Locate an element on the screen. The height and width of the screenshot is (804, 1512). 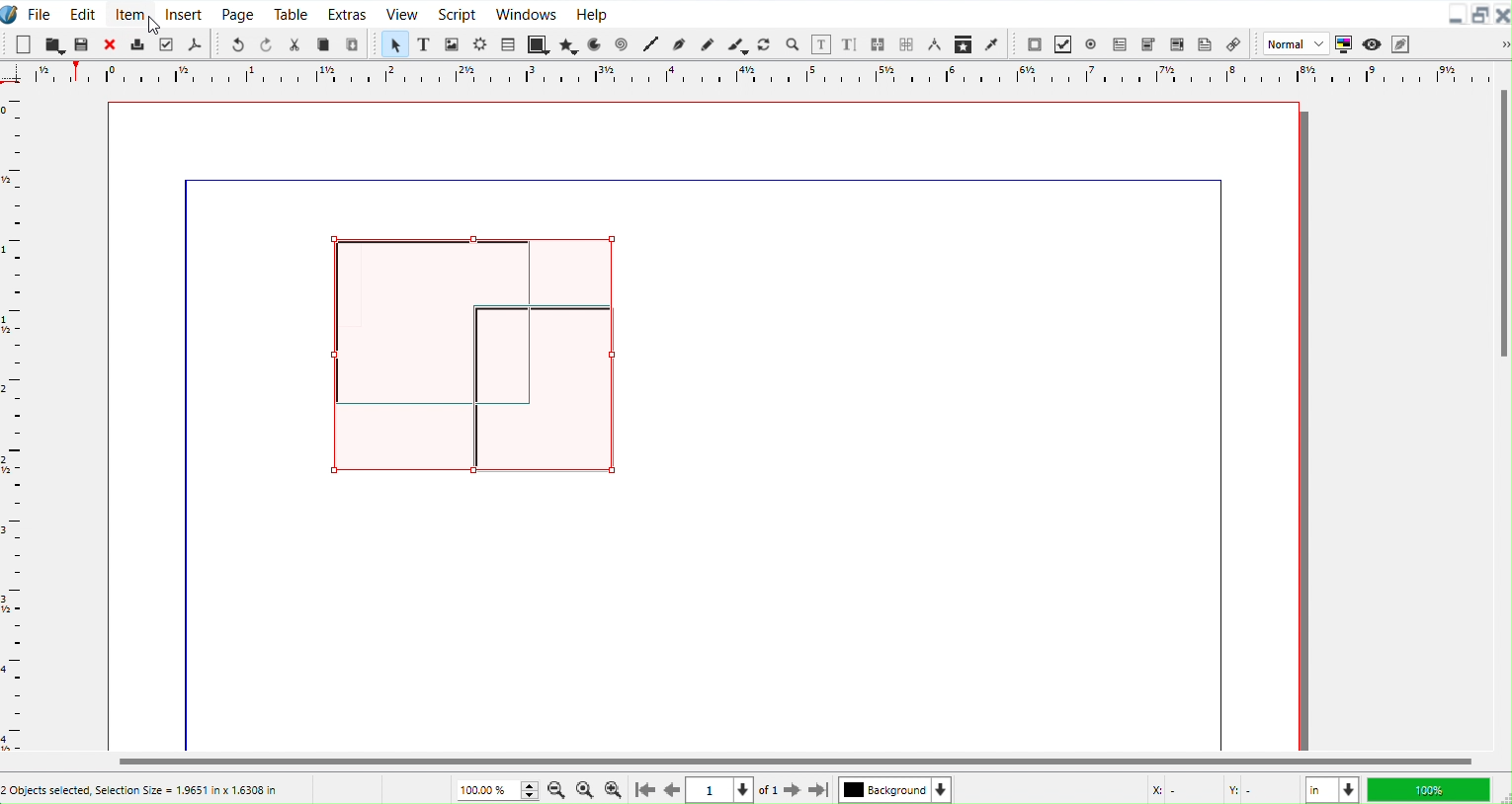
Table is located at coordinates (292, 13).